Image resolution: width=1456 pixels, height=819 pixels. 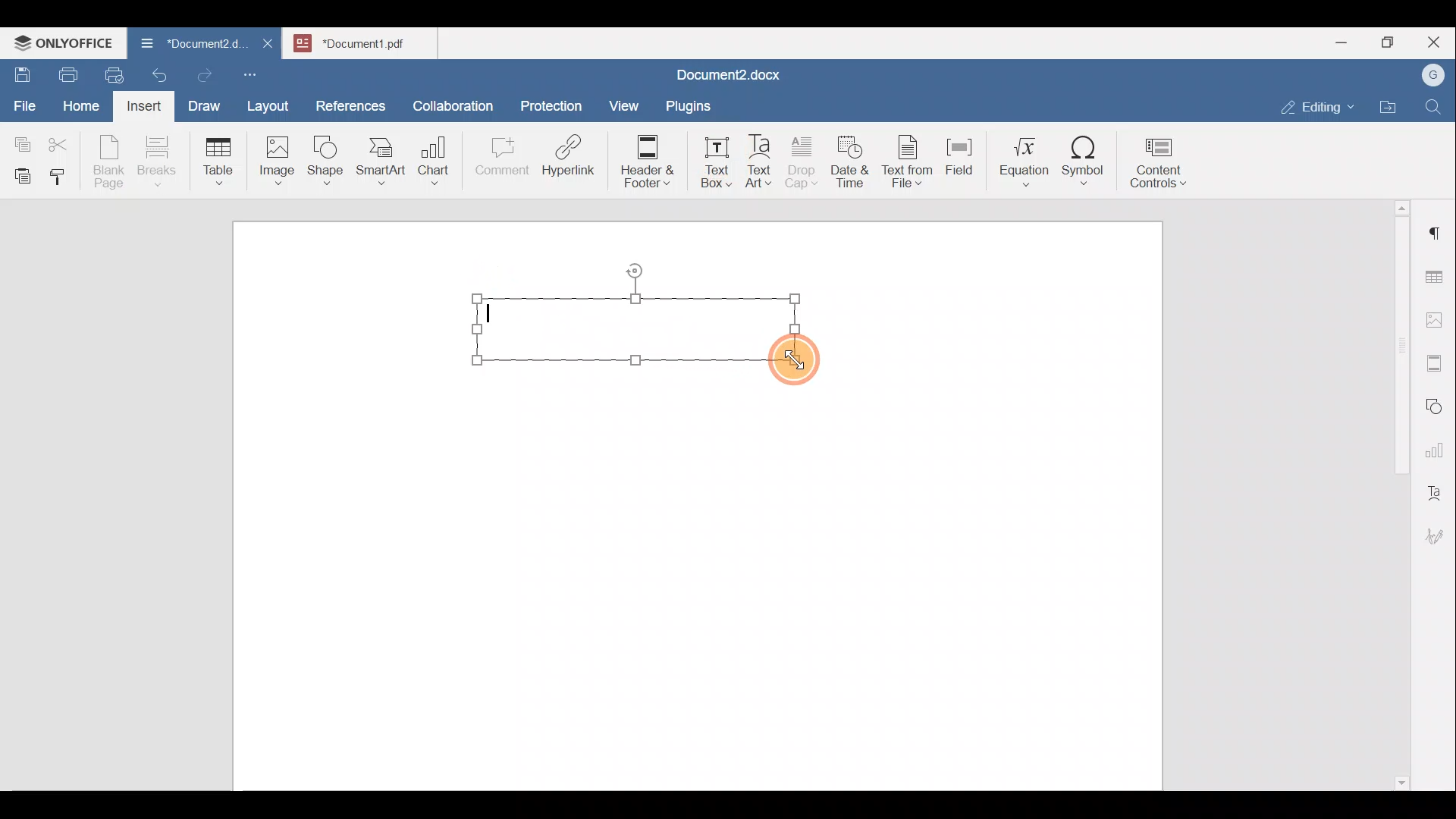 What do you see at coordinates (1438, 444) in the screenshot?
I see `Chart settings` at bounding box center [1438, 444].